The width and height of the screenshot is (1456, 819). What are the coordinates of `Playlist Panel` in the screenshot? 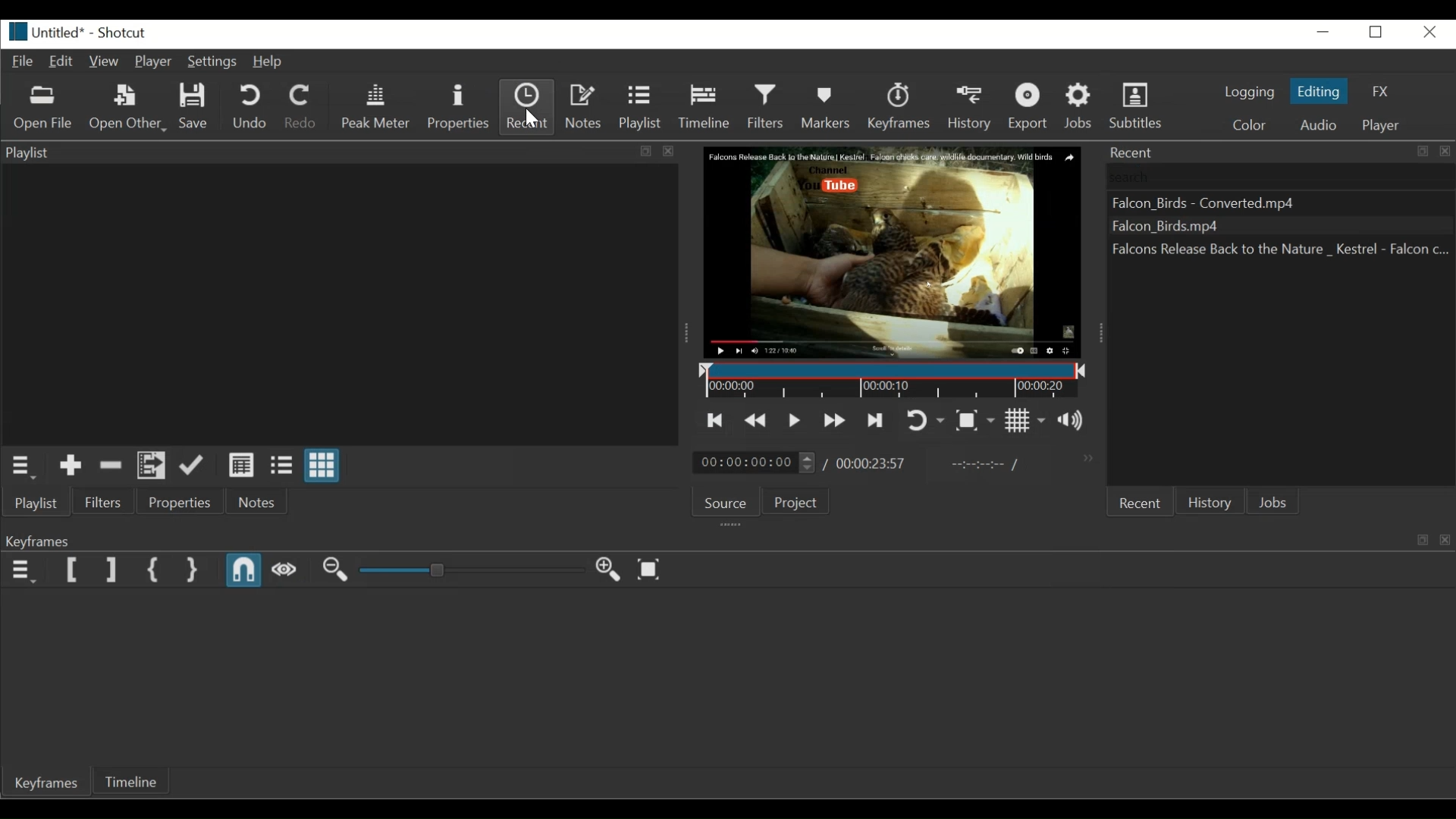 It's located at (335, 154).